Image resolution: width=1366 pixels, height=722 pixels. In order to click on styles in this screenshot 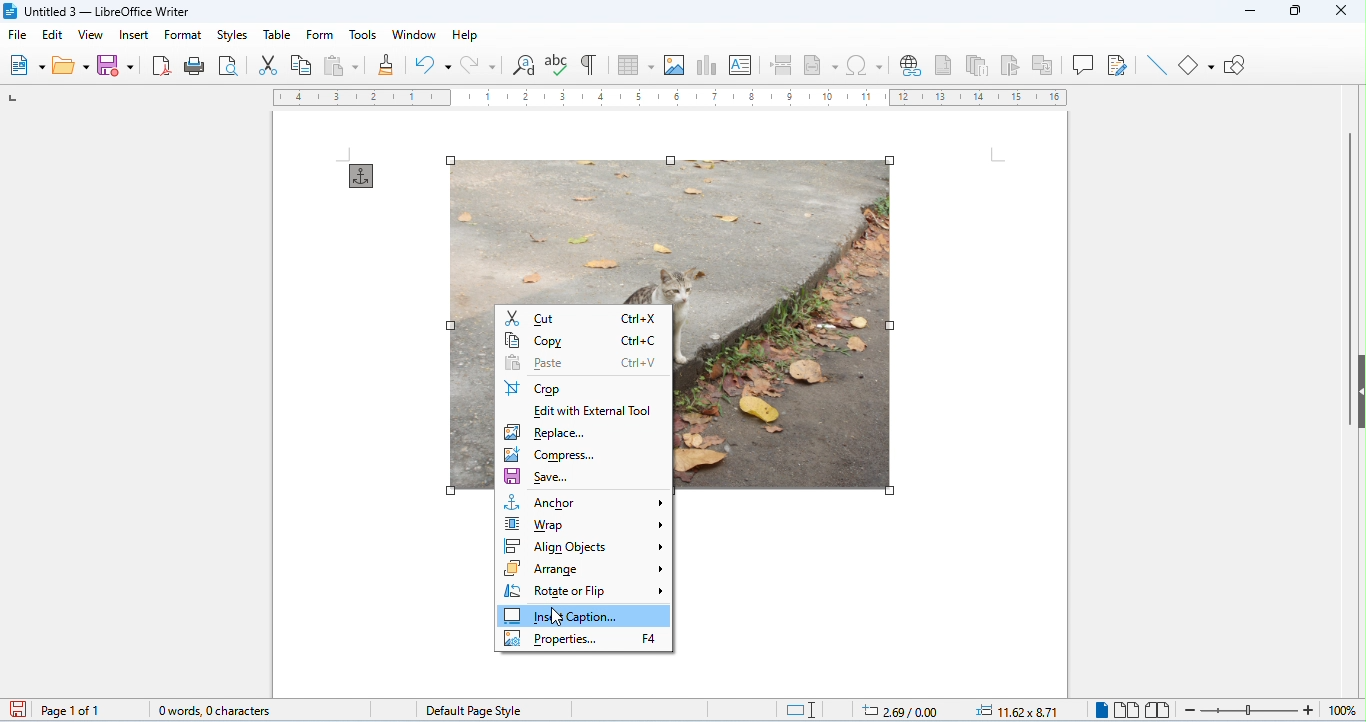, I will do `click(230, 34)`.